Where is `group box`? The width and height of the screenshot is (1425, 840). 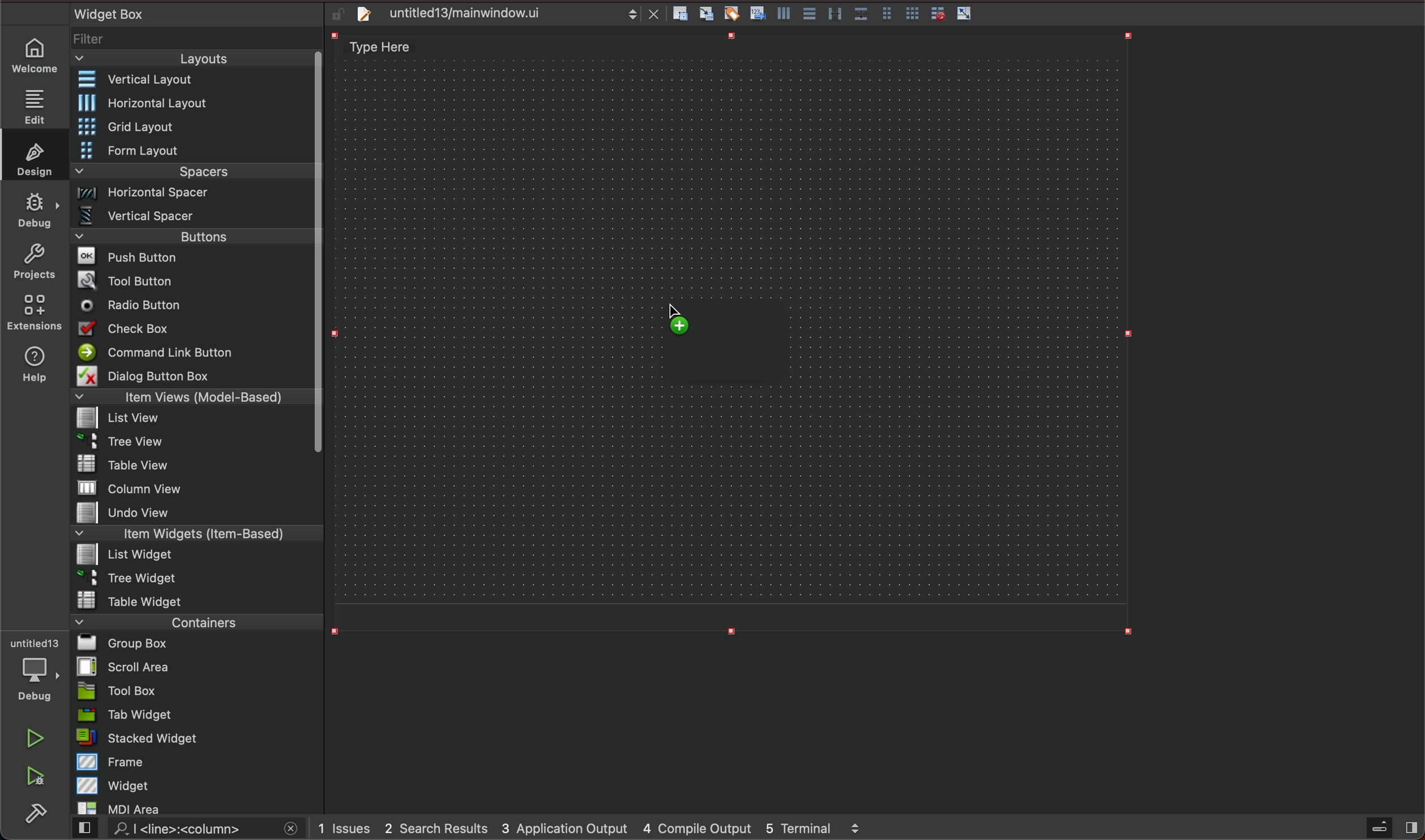 group box is located at coordinates (199, 644).